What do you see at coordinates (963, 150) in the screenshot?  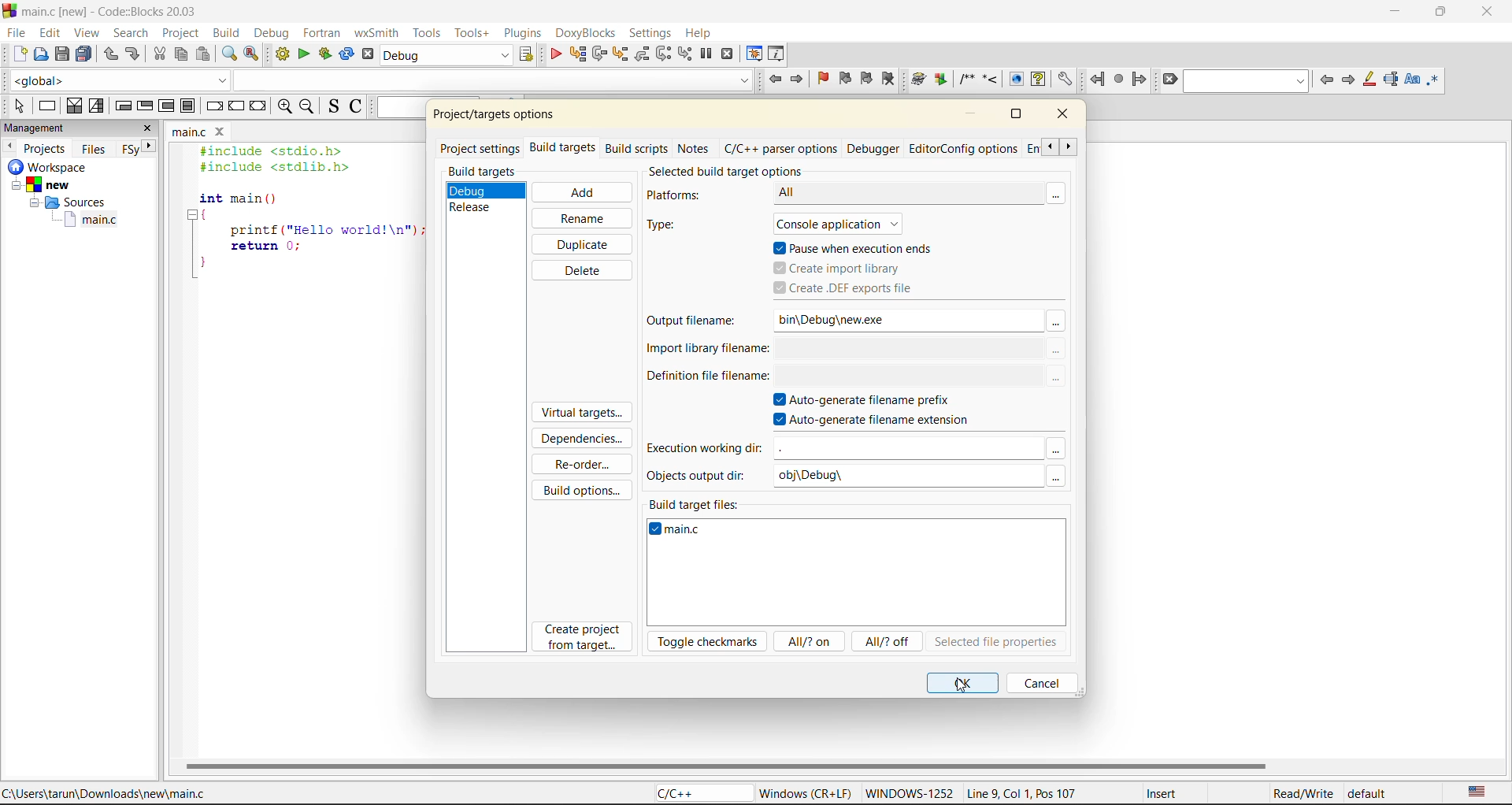 I see `editor/config options` at bounding box center [963, 150].